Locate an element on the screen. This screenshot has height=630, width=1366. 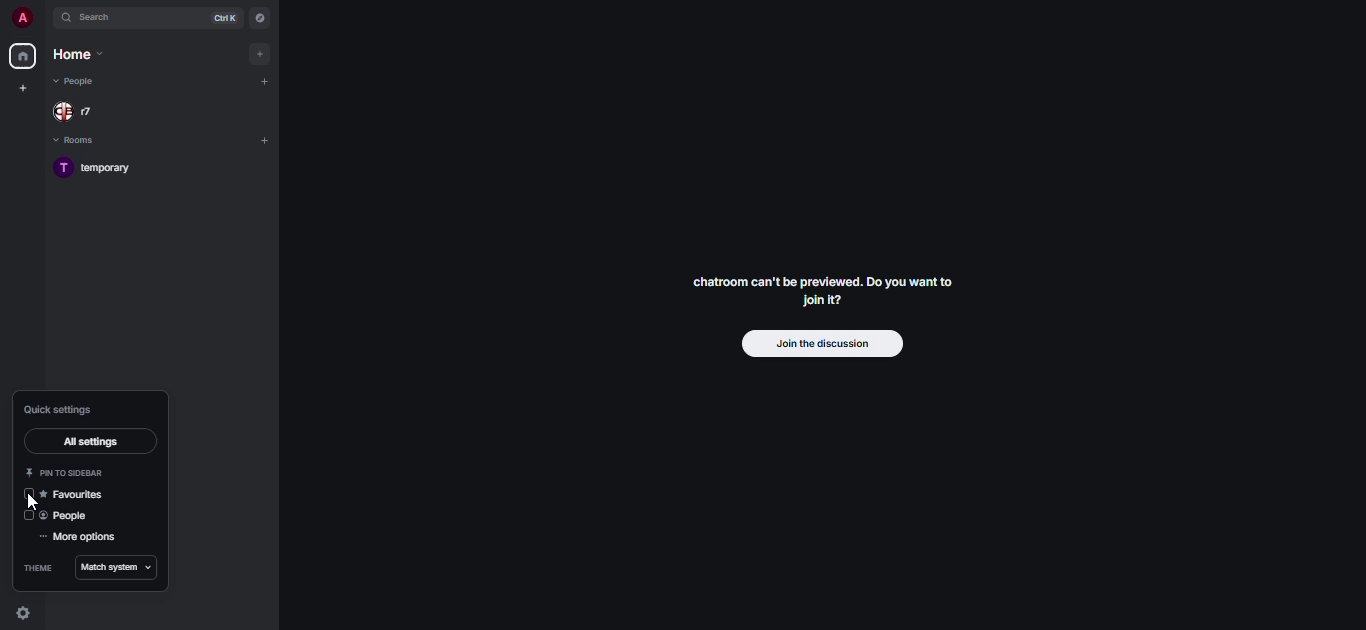
add is located at coordinates (270, 141).